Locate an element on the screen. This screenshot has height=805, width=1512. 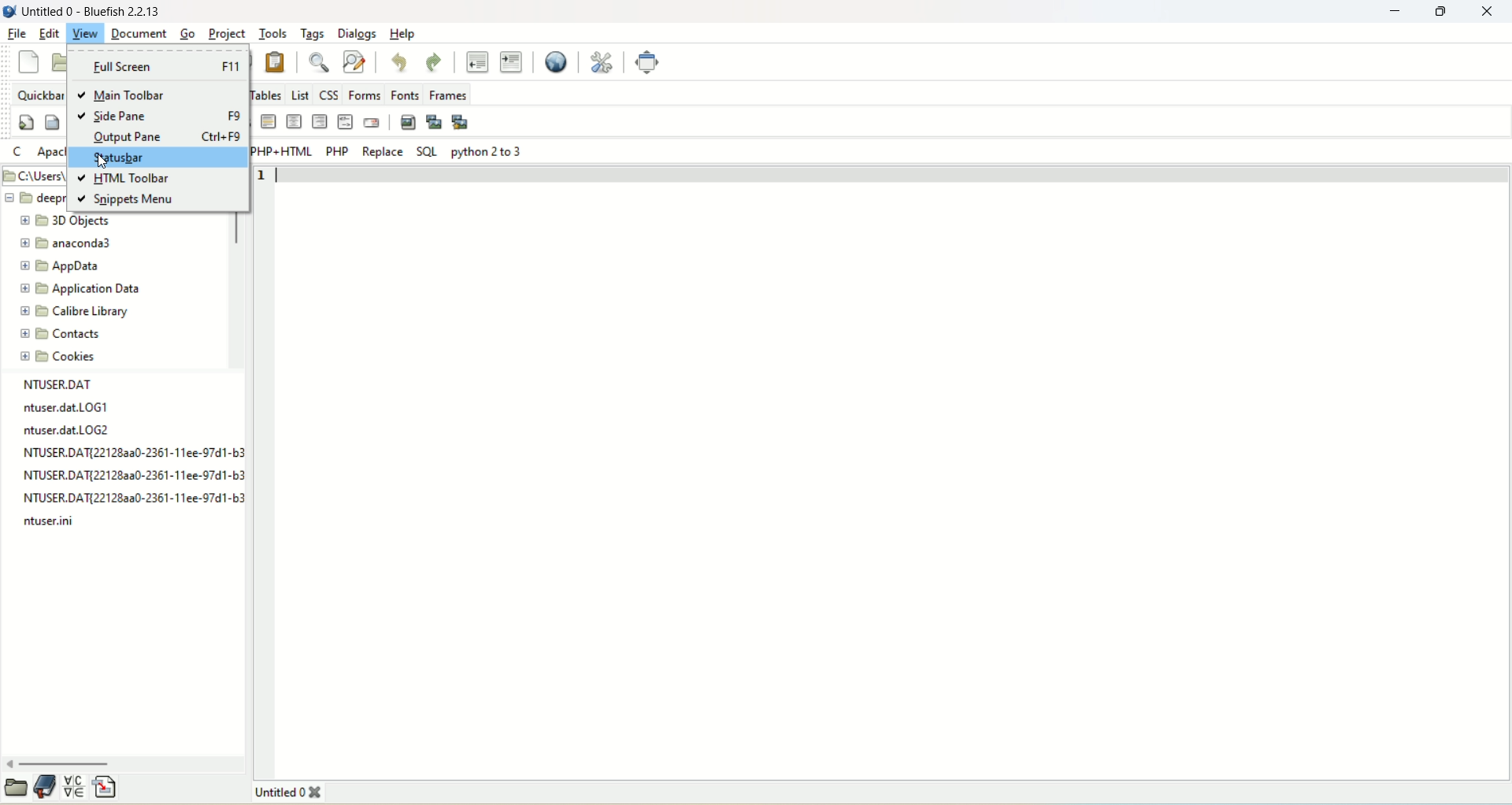
line number is located at coordinates (265, 176).